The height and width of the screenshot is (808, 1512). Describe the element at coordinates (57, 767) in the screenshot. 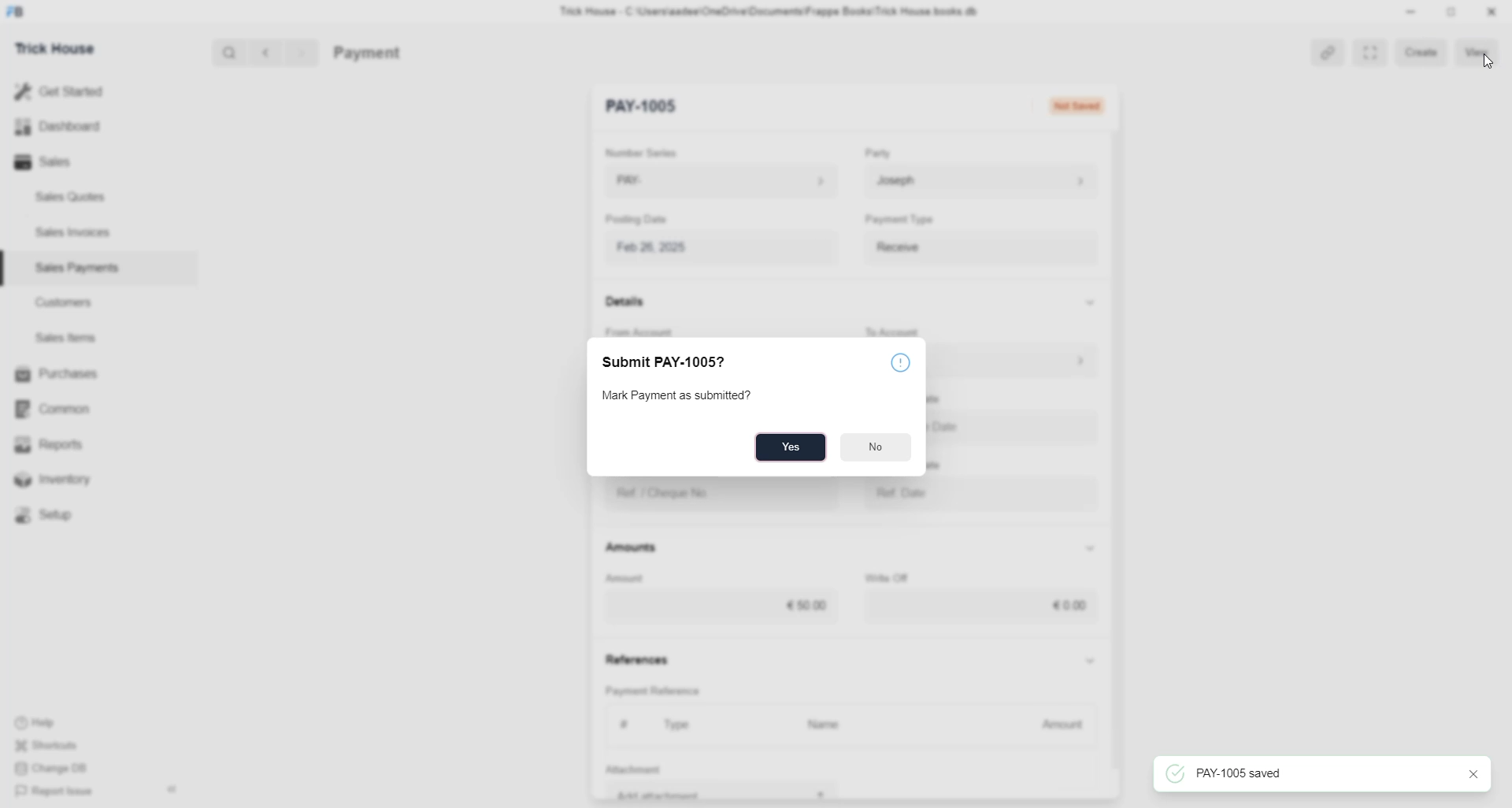

I see `Change DB` at that location.